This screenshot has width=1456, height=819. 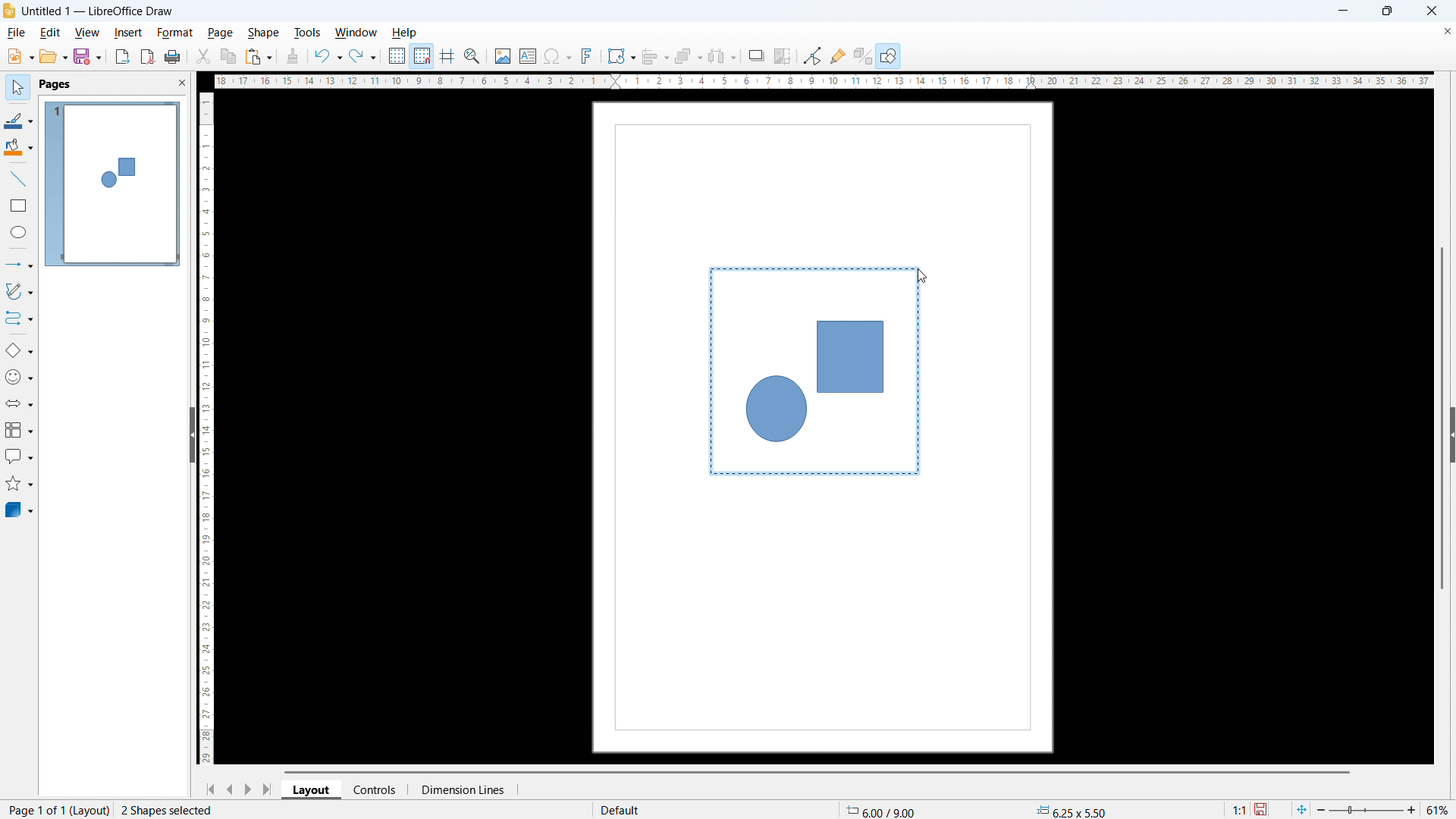 I want to click on layout, so click(x=312, y=790).